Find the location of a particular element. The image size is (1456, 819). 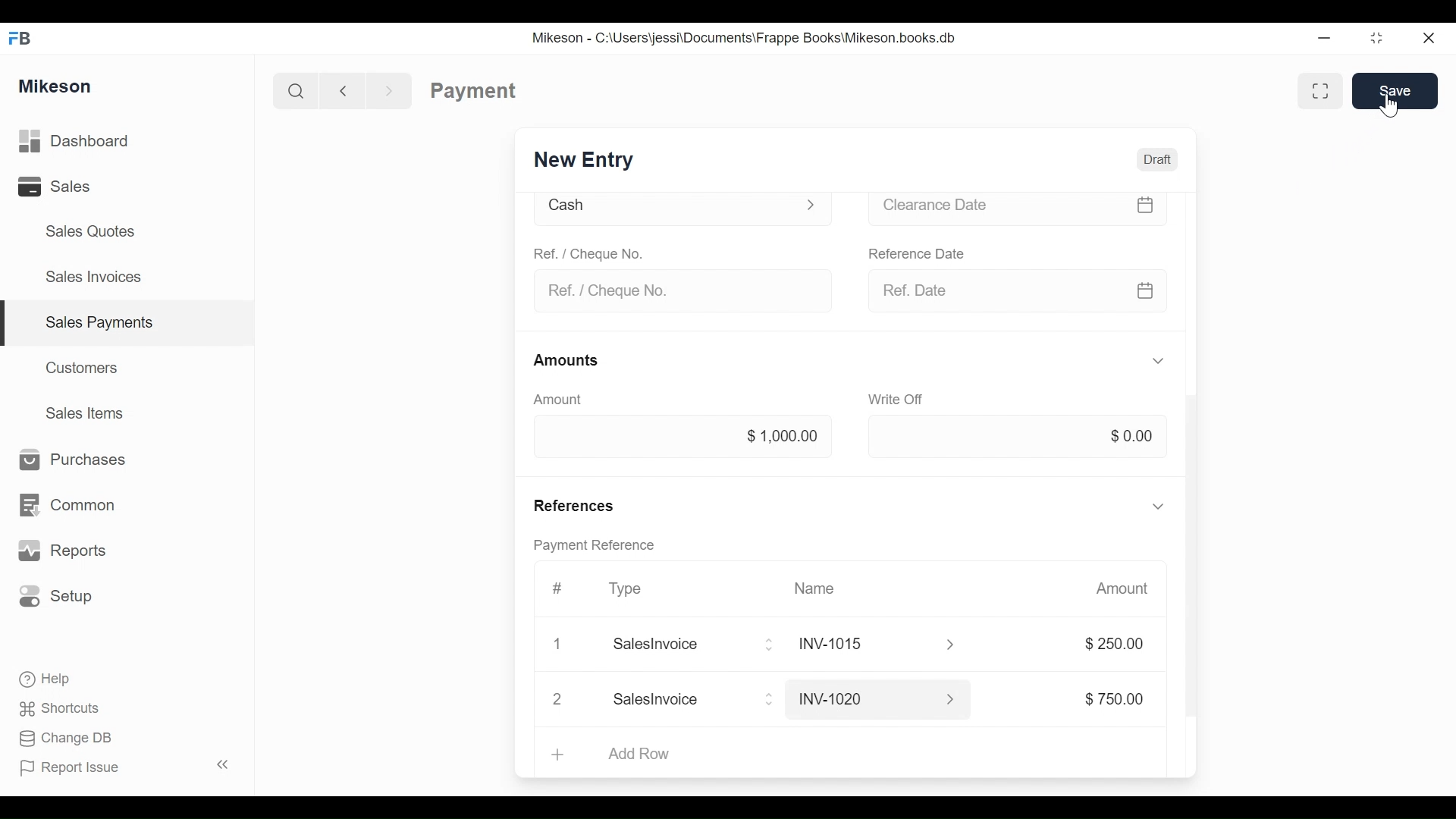

Ref. / Cheque No. is located at coordinates (678, 290).